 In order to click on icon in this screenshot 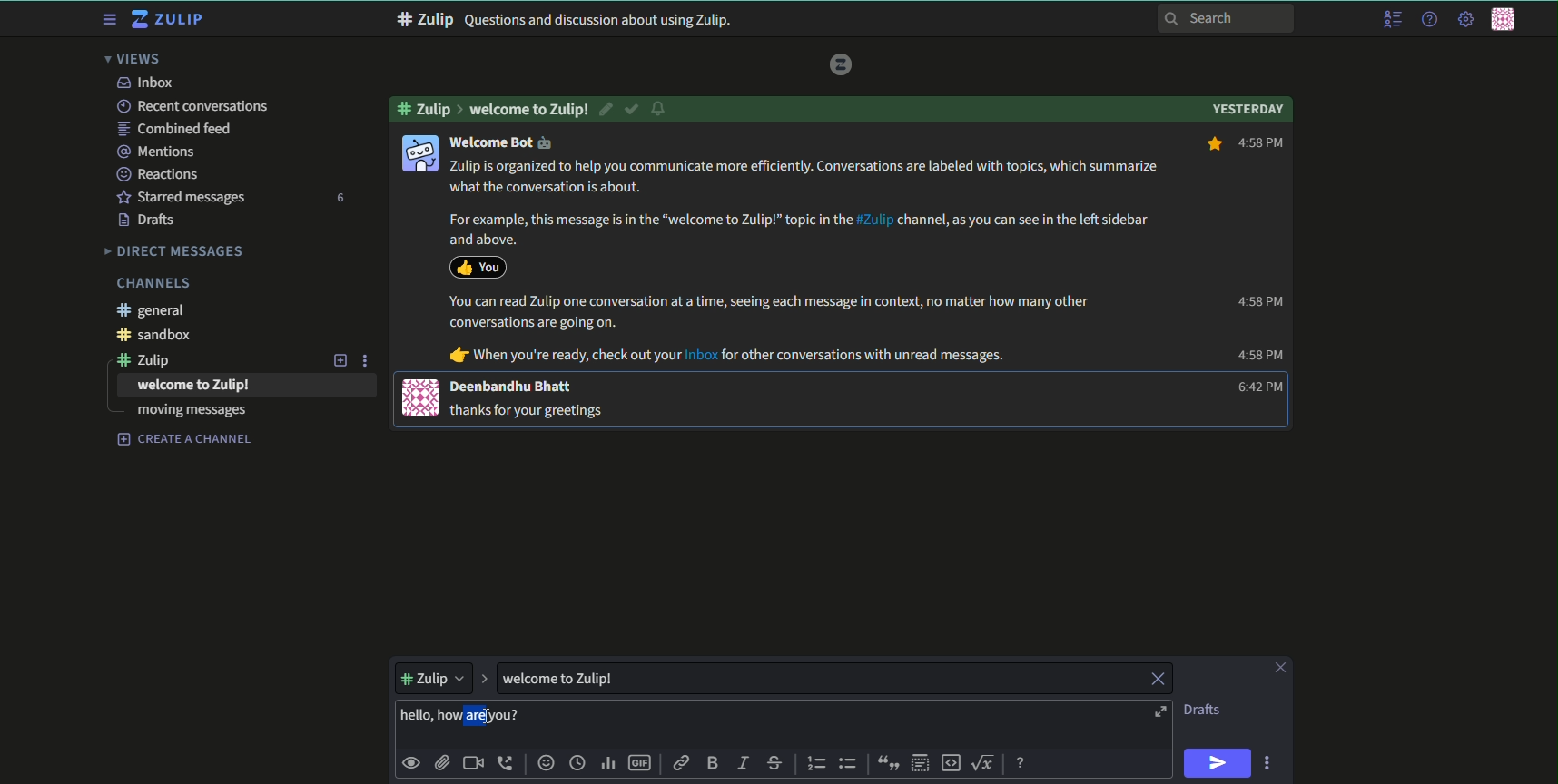, I will do `click(478, 266)`.